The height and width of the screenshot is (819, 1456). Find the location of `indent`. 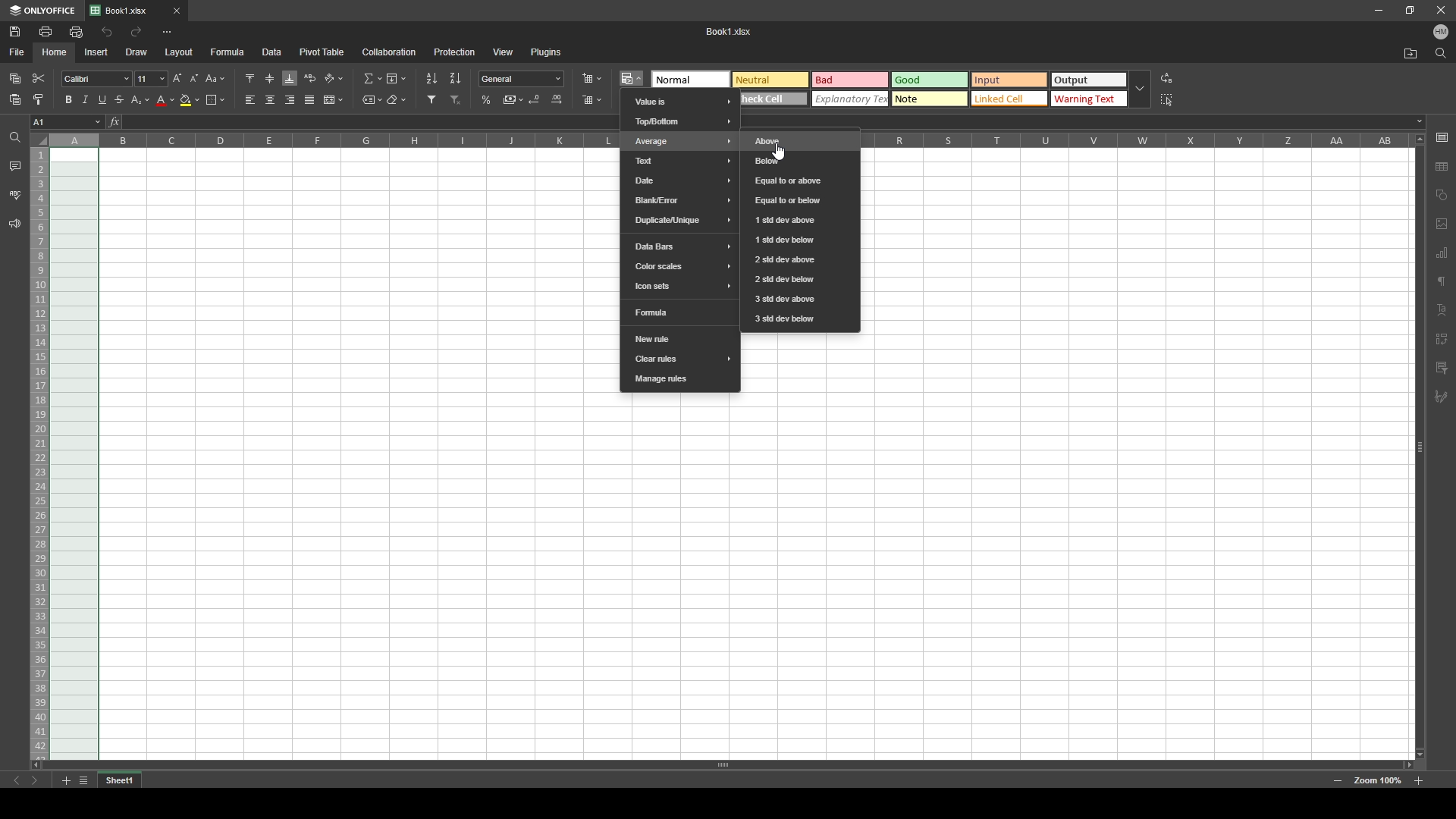

indent is located at coordinates (1445, 337).